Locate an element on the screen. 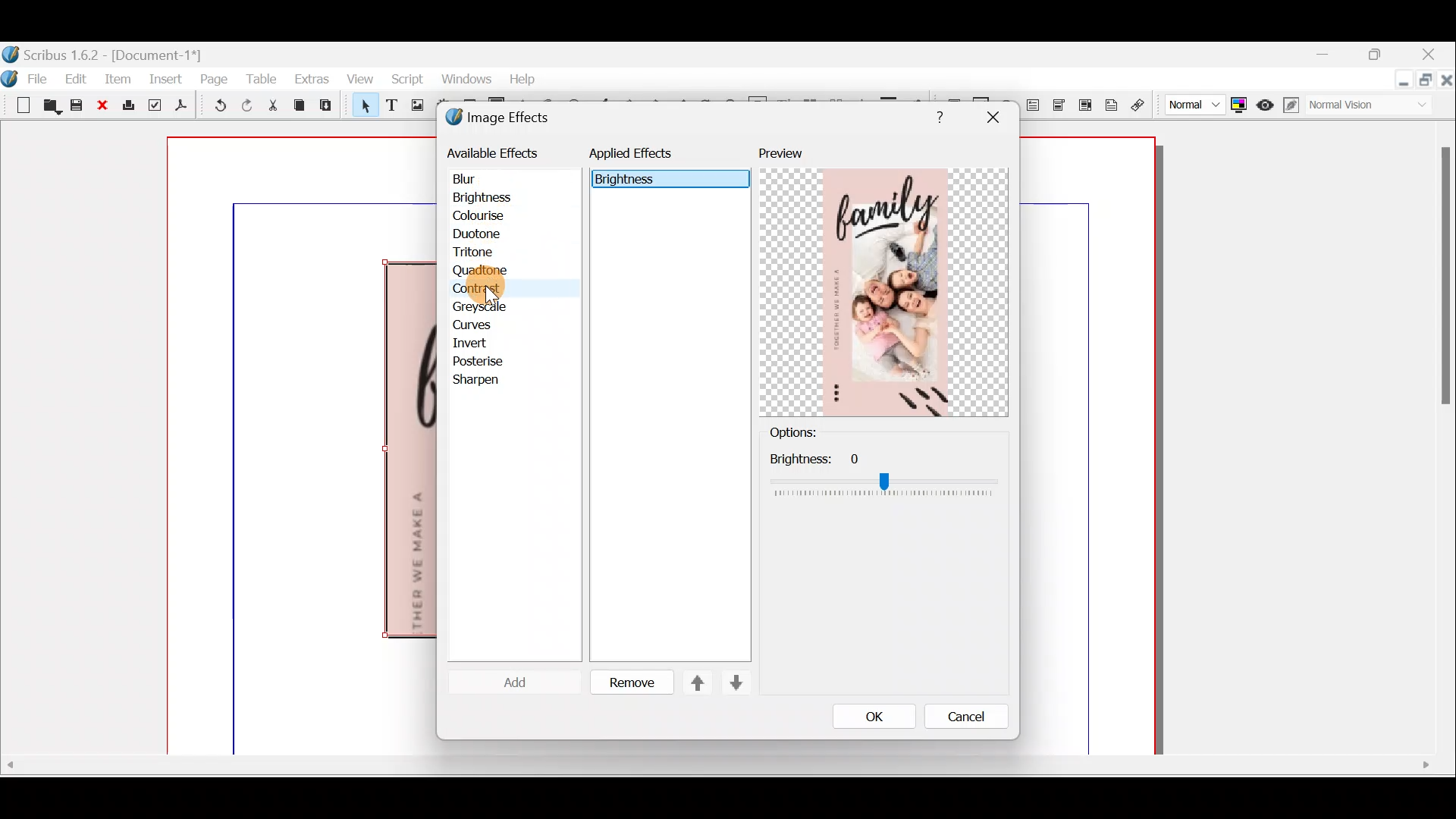 This screenshot has width=1456, height=819. PDF List box is located at coordinates (1085, 103).